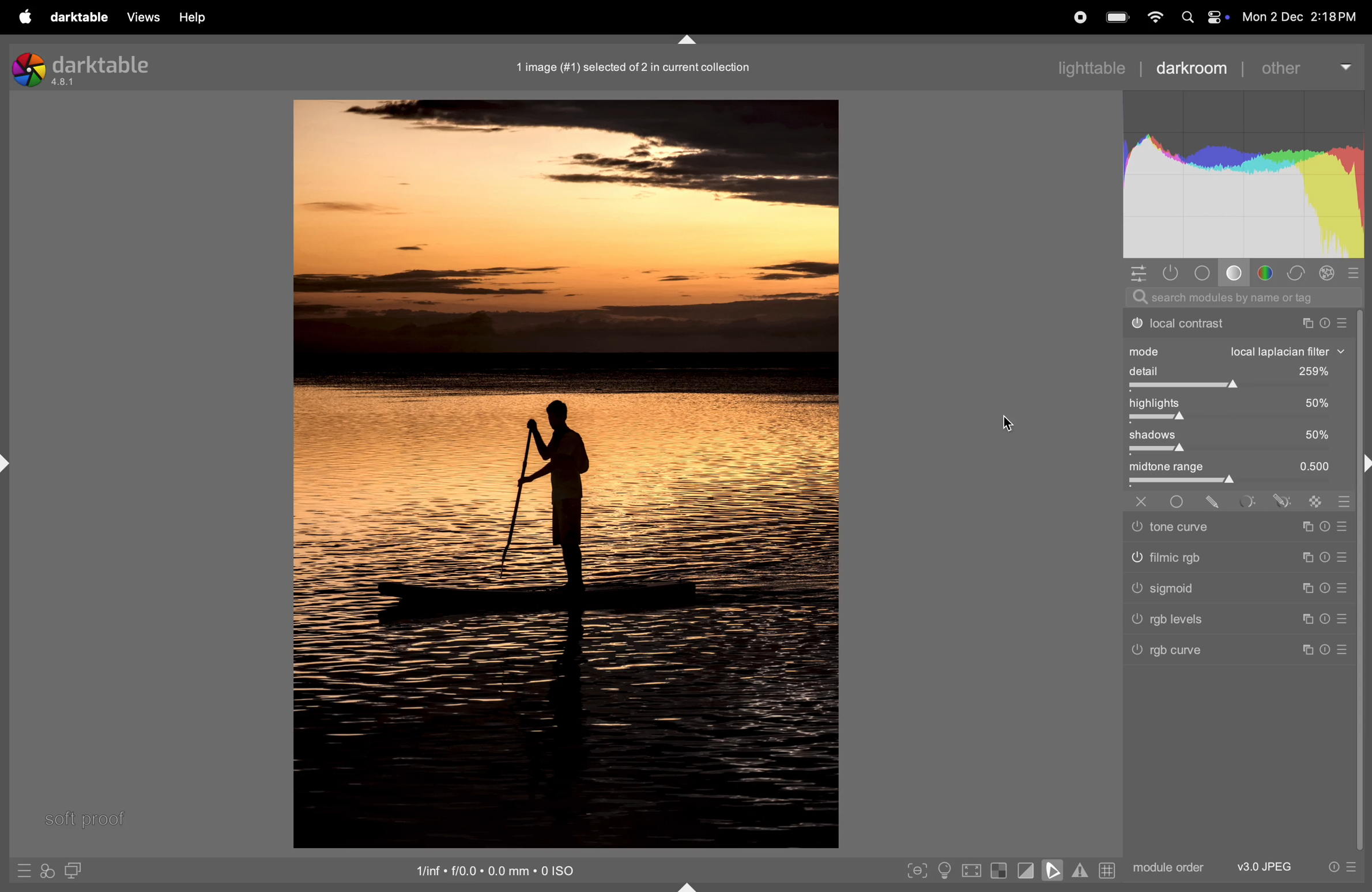 The width and height of the screenshot is (1372, 892). What do you see at coordinates (1342, 652) in the screenshot?
I see `` at bounding box center [1342, 652].